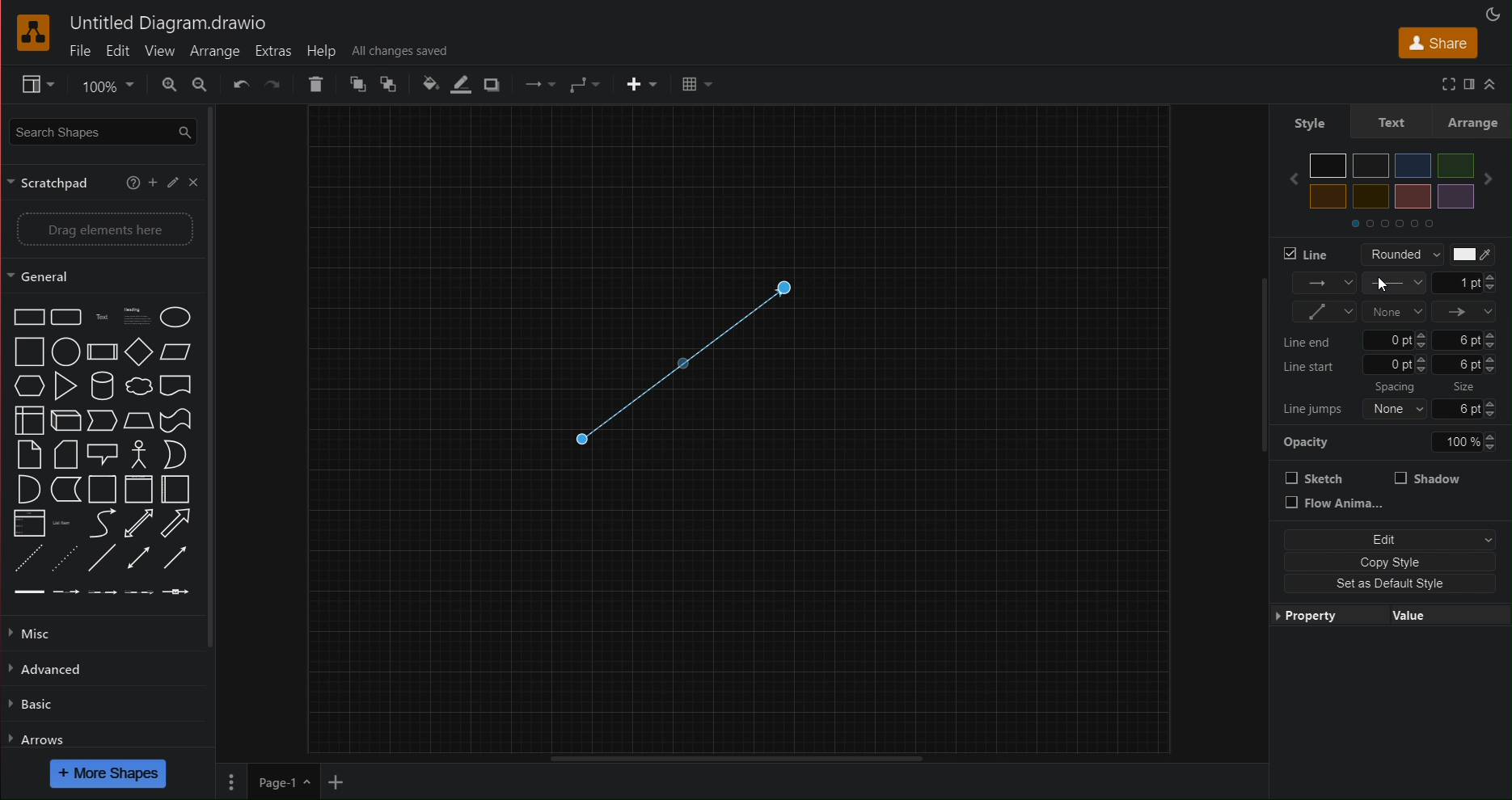 The image size is (1512, 800). Describe the element at coordinates (324, 50) in the screenshot. I see `Help` at that location.